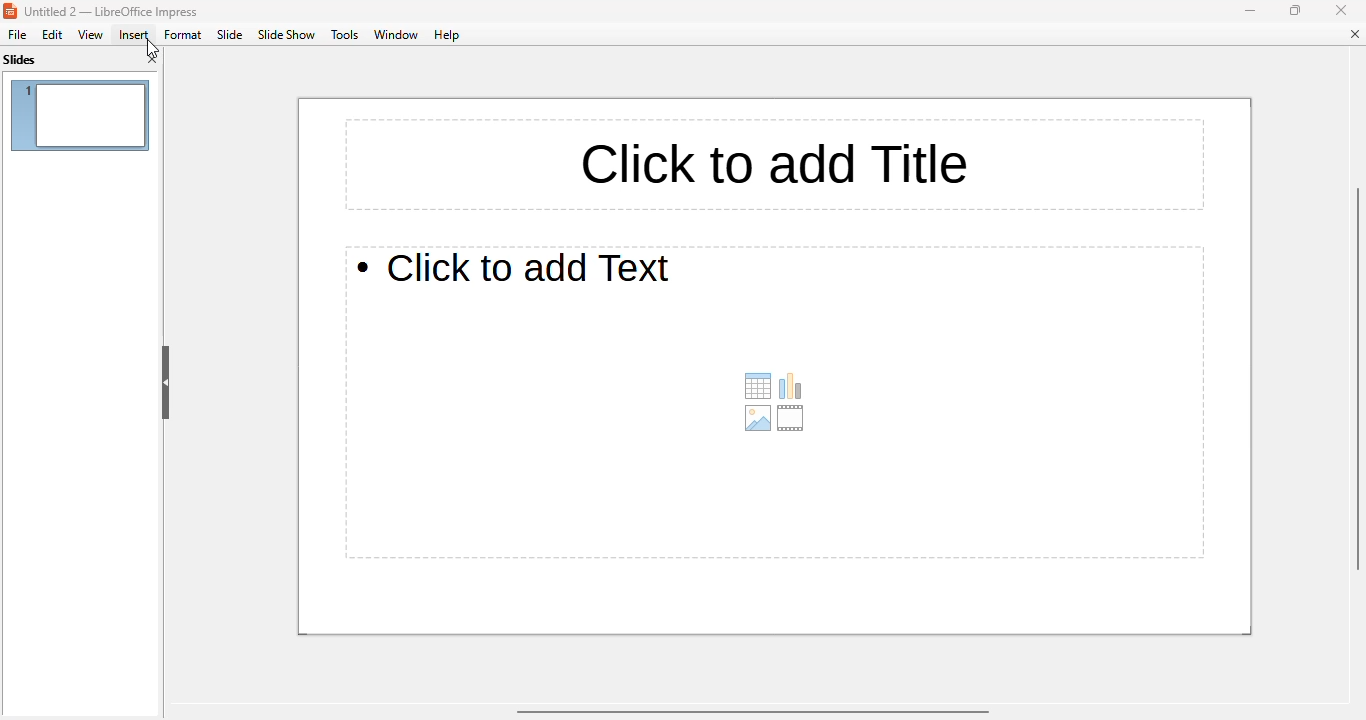  What do you see at coordinates (80, 115) in the screenshot?
I see `slide 1` at bounding box center [80, 115].